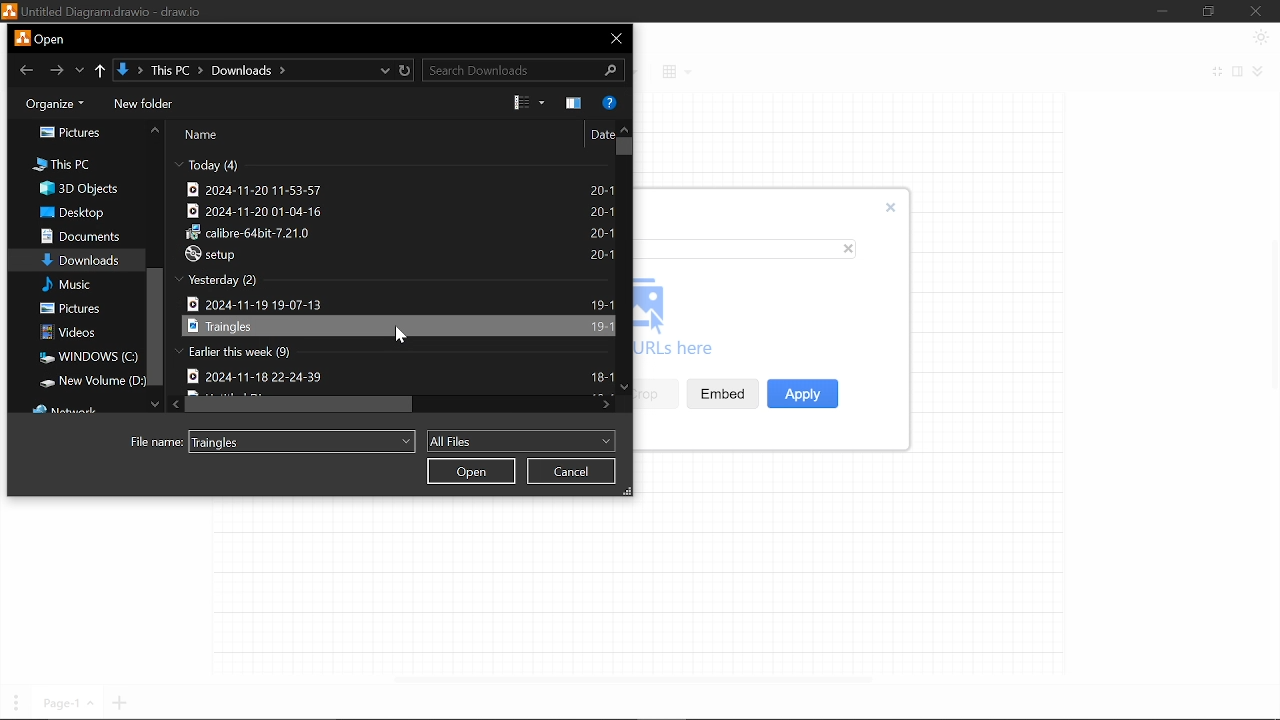  I want to click on Today (4), so click(211, 165).